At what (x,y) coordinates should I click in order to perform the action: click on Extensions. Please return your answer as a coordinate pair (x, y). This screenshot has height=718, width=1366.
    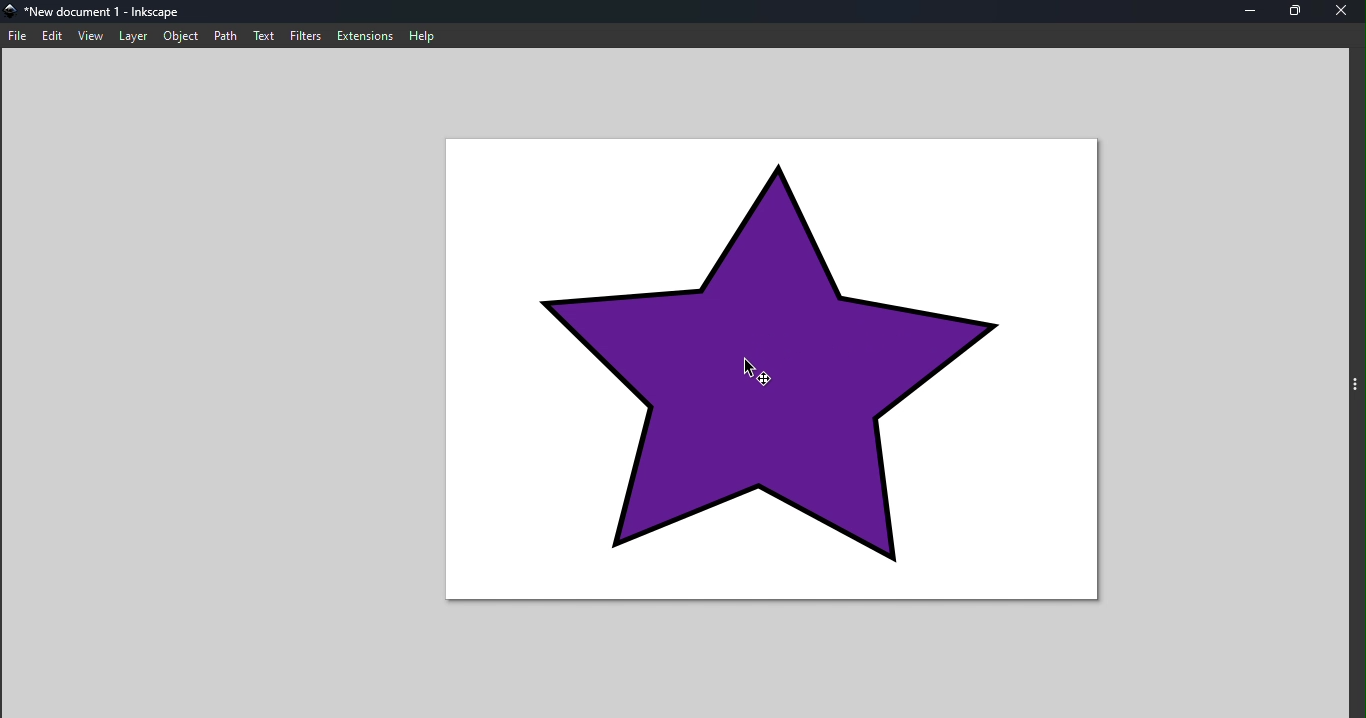
    Looking at the image, I should click on (360, 34).